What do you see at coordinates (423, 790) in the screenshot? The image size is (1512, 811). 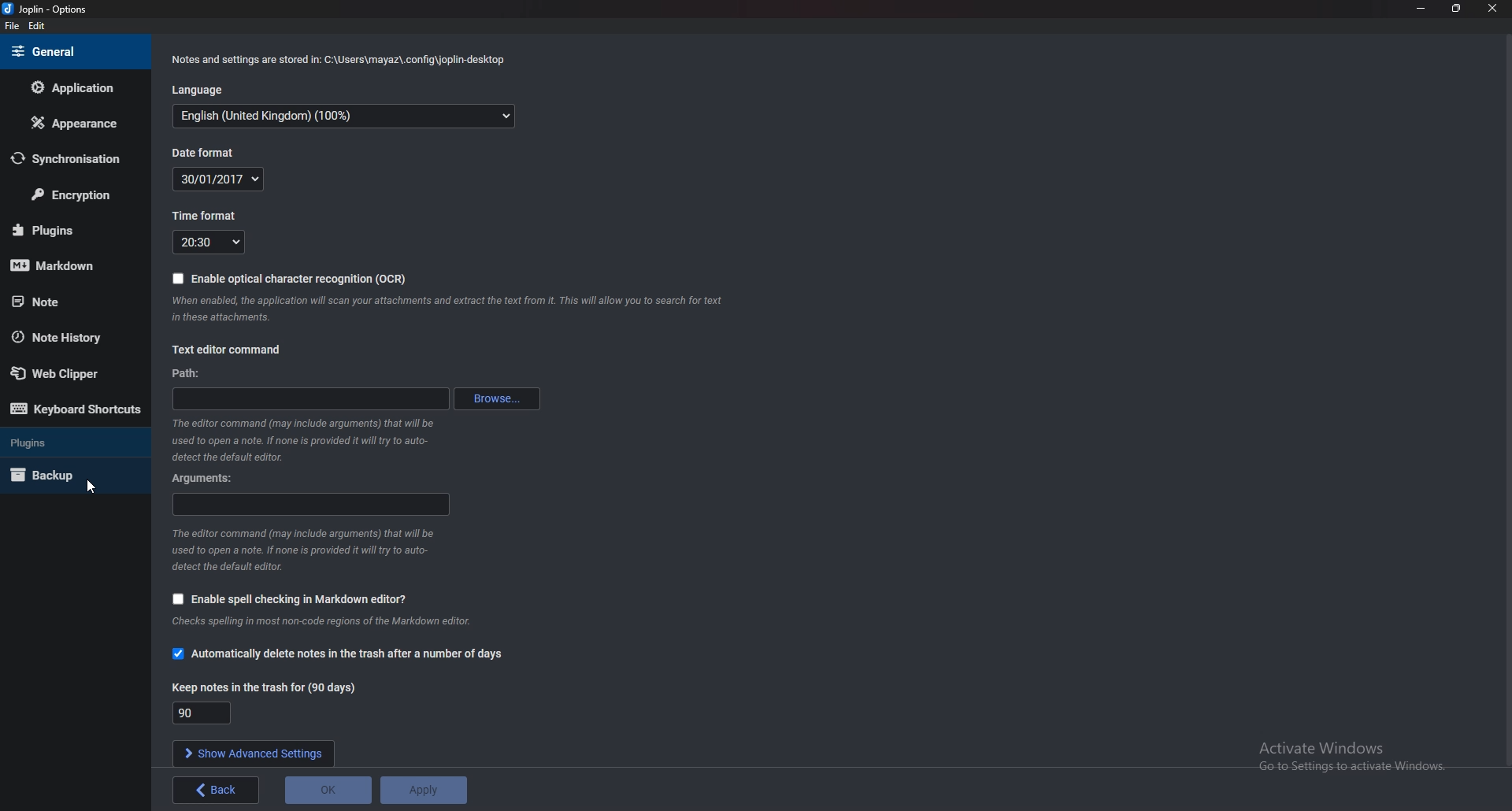 I see `Apply` at bounding box center [423, 790].